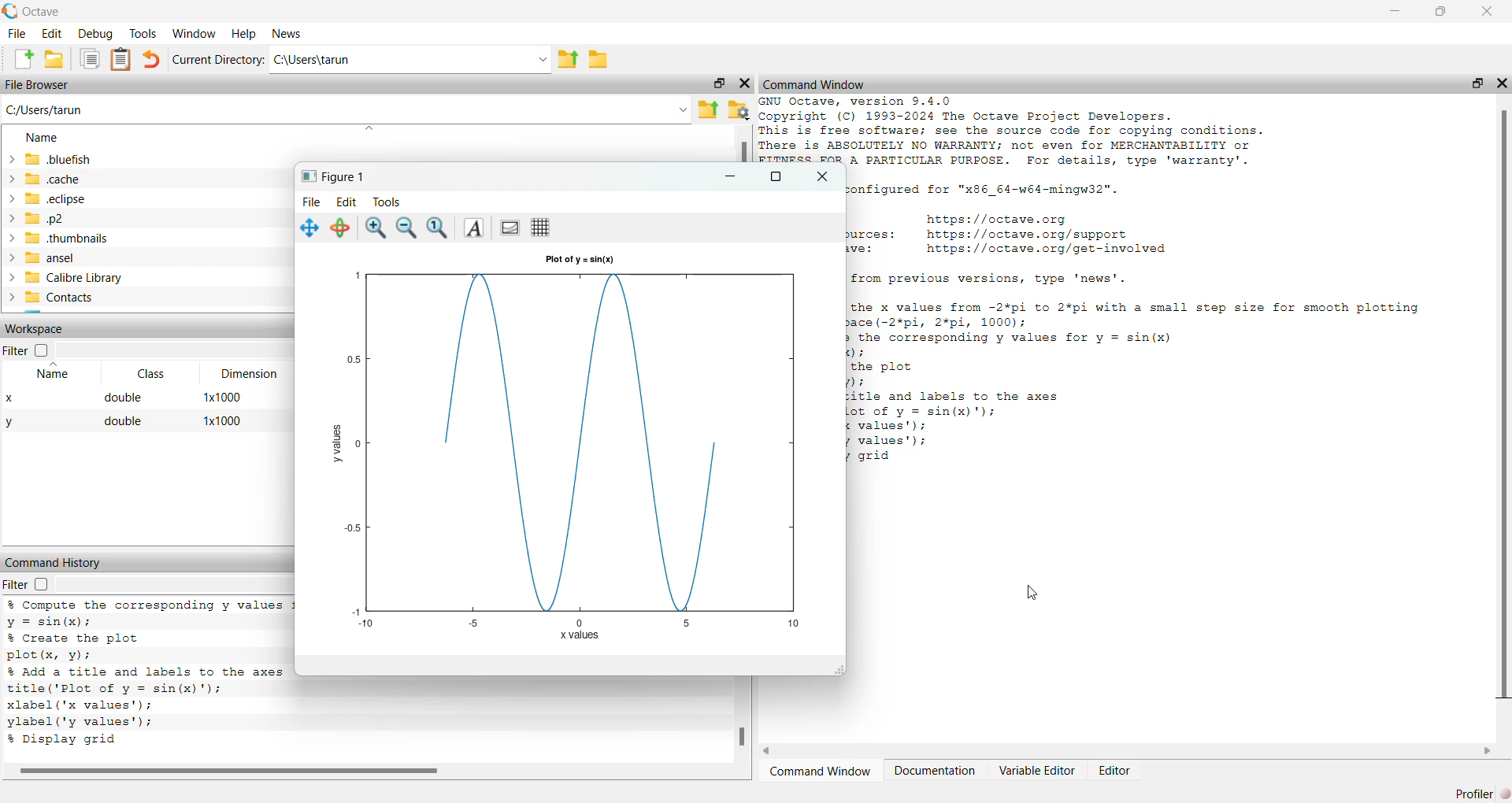  What do you see at coordinates (828, 84) in the screenshot?
I see `Command Window` at bounding box center [828, 84].